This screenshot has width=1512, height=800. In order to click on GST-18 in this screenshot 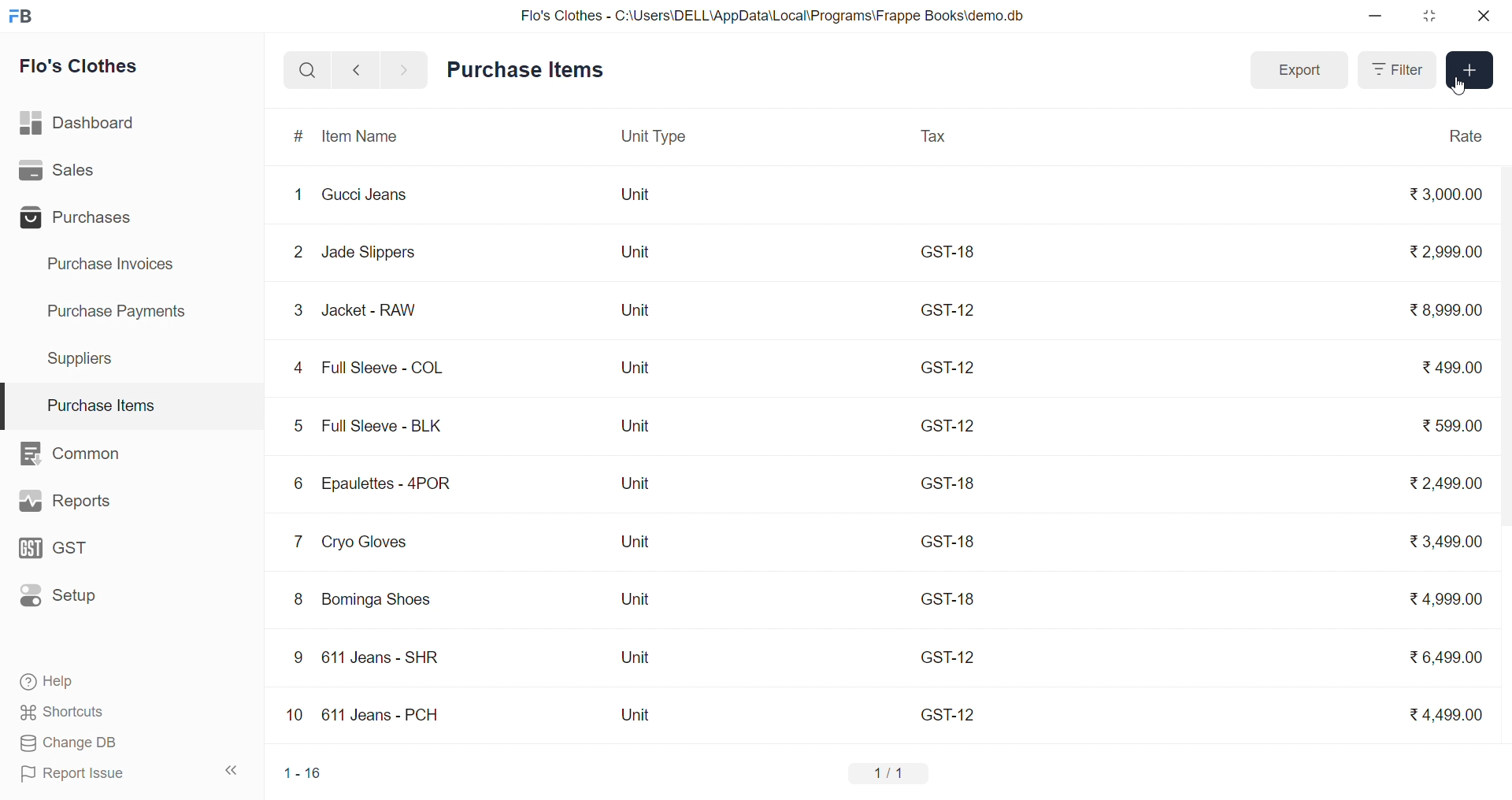, I will do `click(951, 251)`.